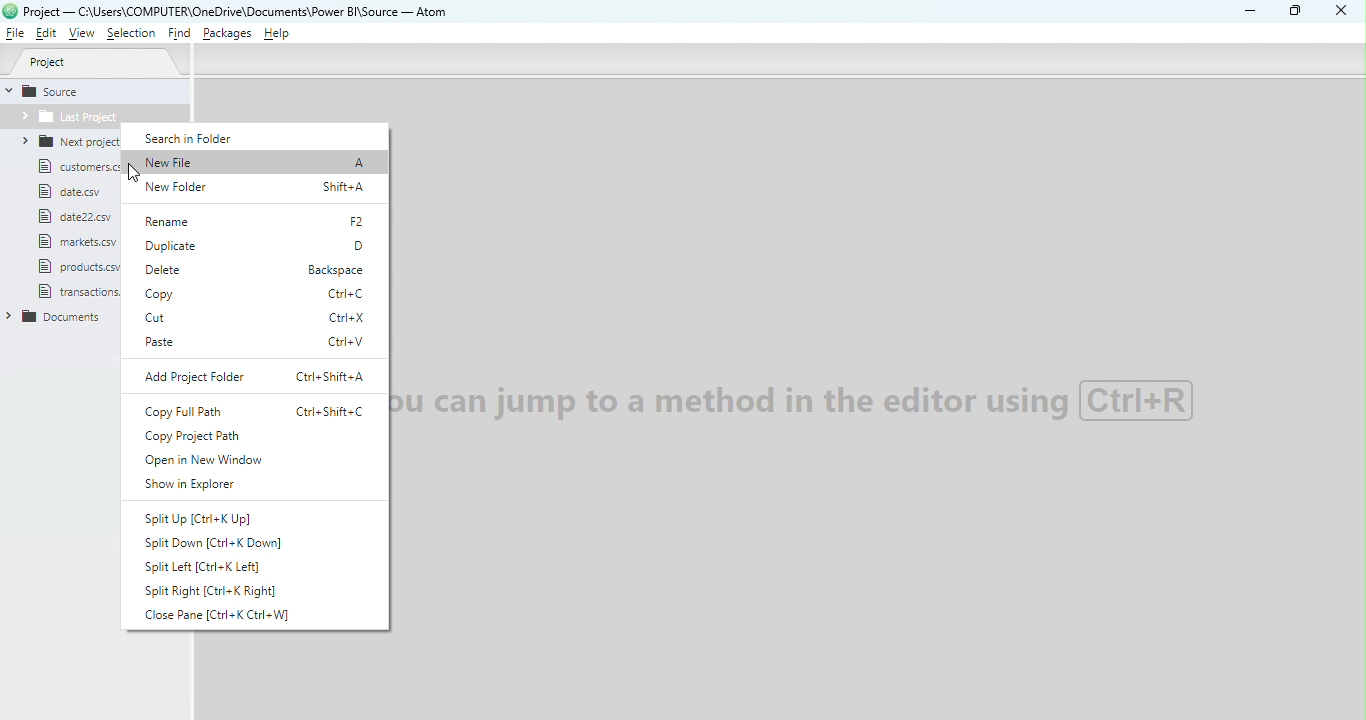 The width and height of the screenshot is (1366, 720). Describe the element at coordinates (74, 264) in the screenshot. I see `file` at that location.